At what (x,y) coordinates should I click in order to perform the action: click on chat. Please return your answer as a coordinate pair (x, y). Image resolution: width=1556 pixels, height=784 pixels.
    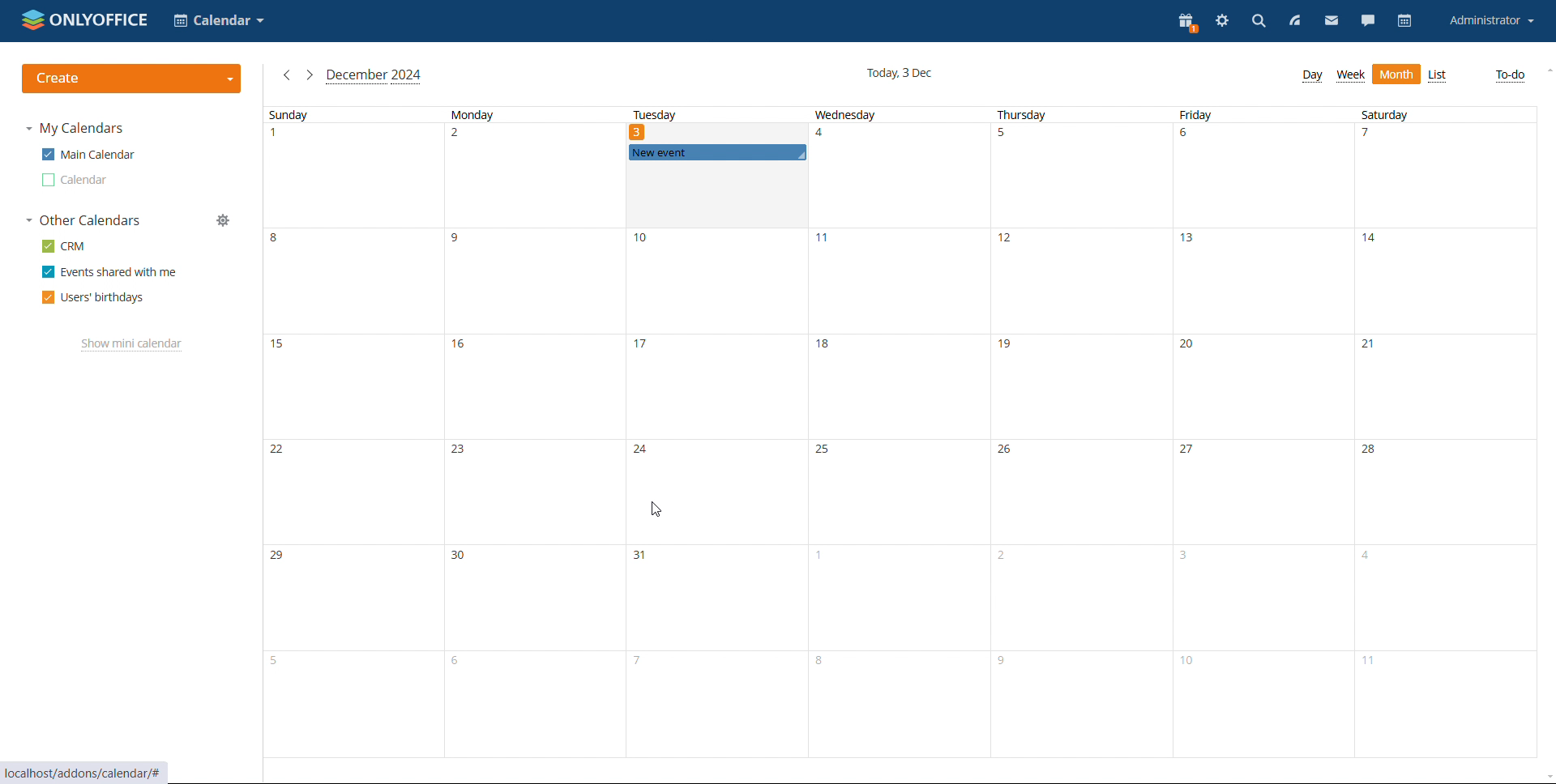
    Looking at the image, I should click on (1368, 22).